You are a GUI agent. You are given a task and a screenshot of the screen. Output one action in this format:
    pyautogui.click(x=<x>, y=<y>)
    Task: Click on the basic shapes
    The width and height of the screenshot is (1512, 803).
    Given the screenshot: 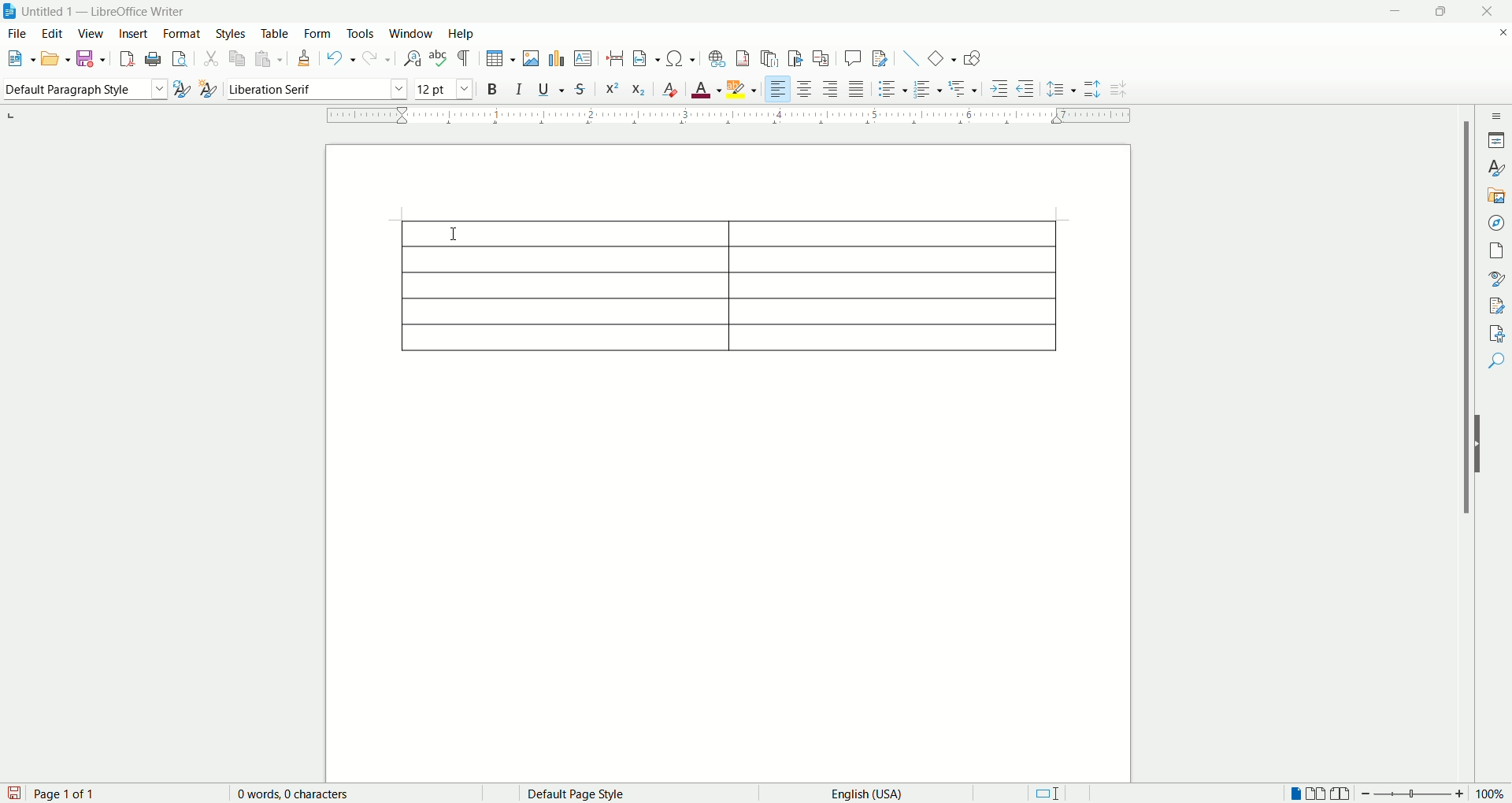 What is the action you would take?
    pyautogui.click(x=941, y=57)
    